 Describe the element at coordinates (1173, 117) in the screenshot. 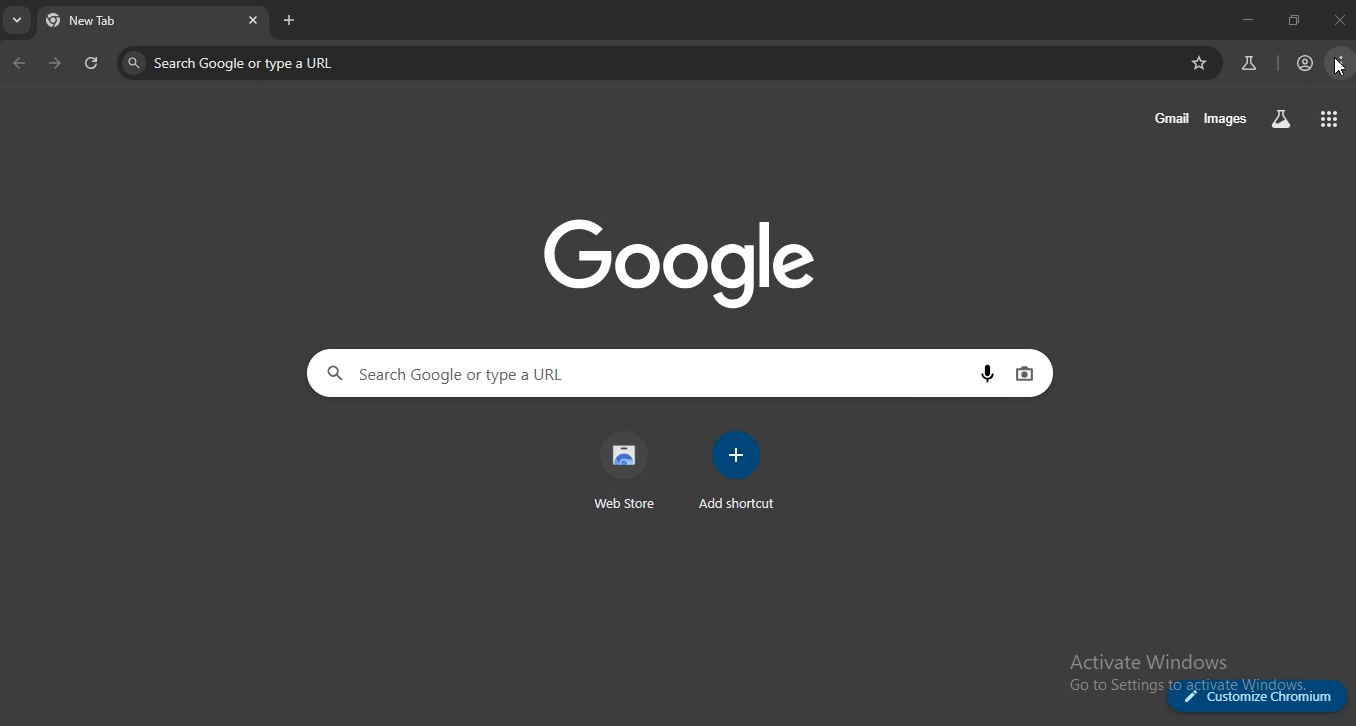

I see `gmail` at that location.